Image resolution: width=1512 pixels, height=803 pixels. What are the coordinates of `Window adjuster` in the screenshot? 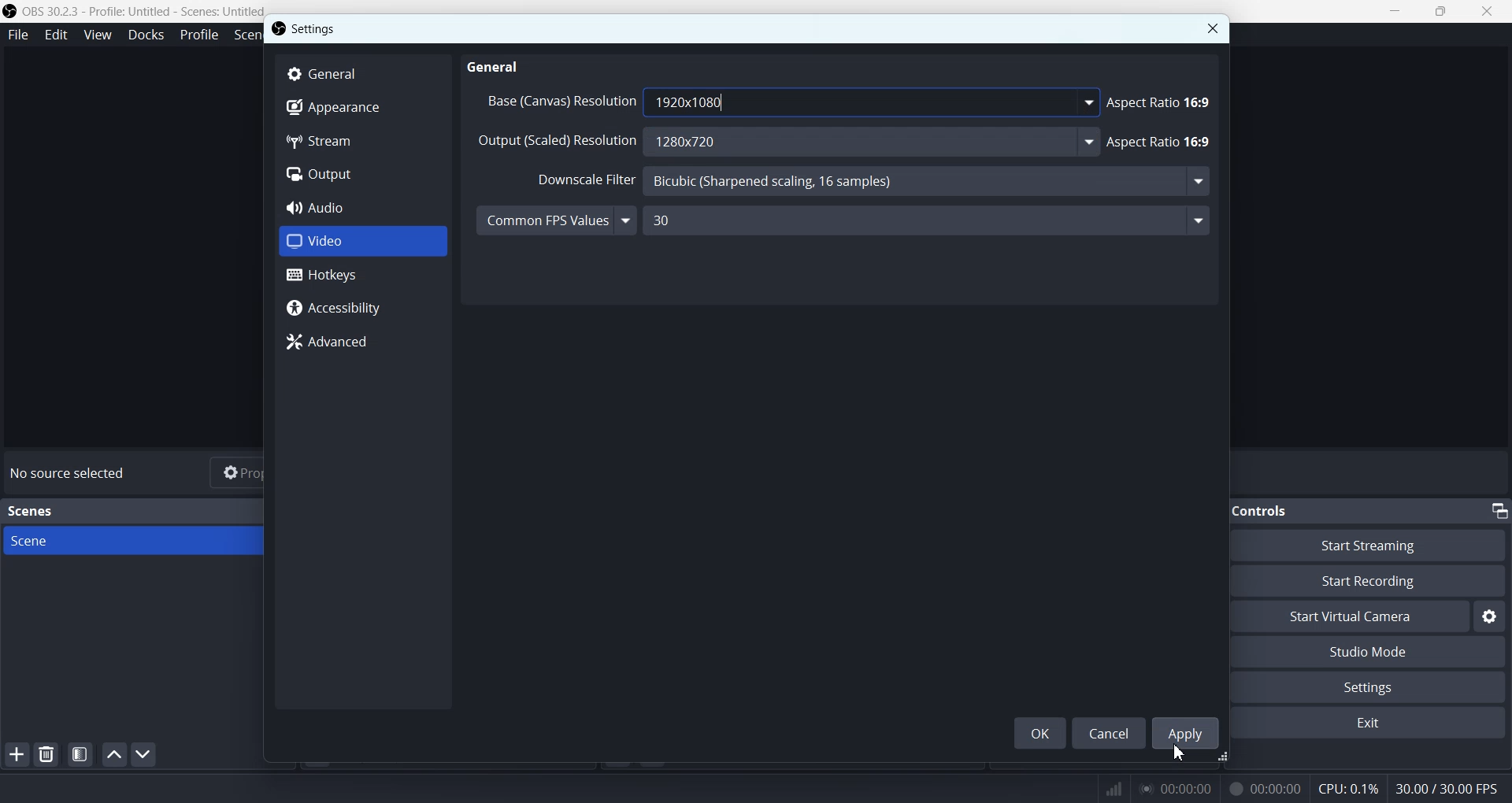 It's located at (1225, 759).